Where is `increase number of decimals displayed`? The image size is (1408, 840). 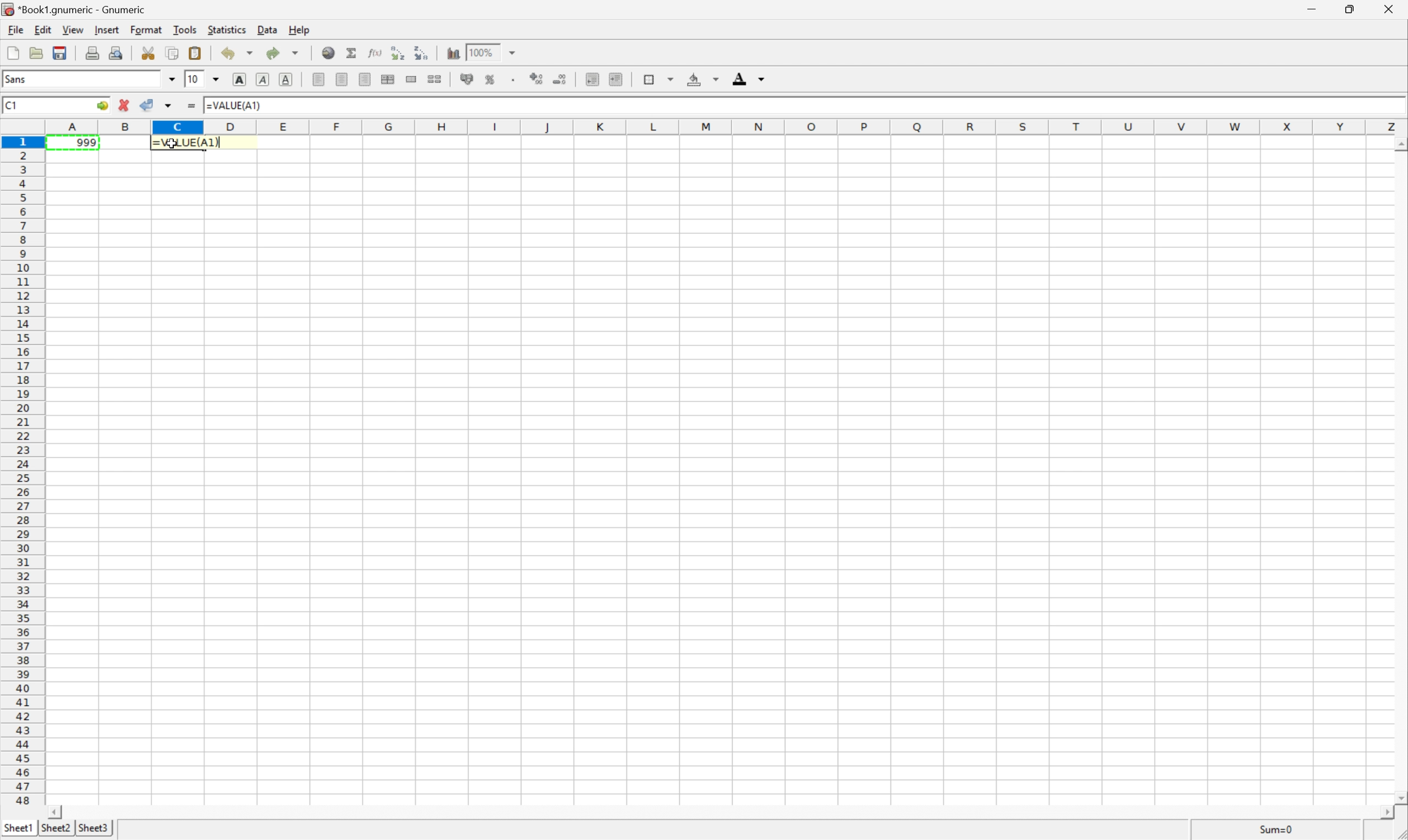 increase number of decimals displayed is located at coordinates (536, 78).